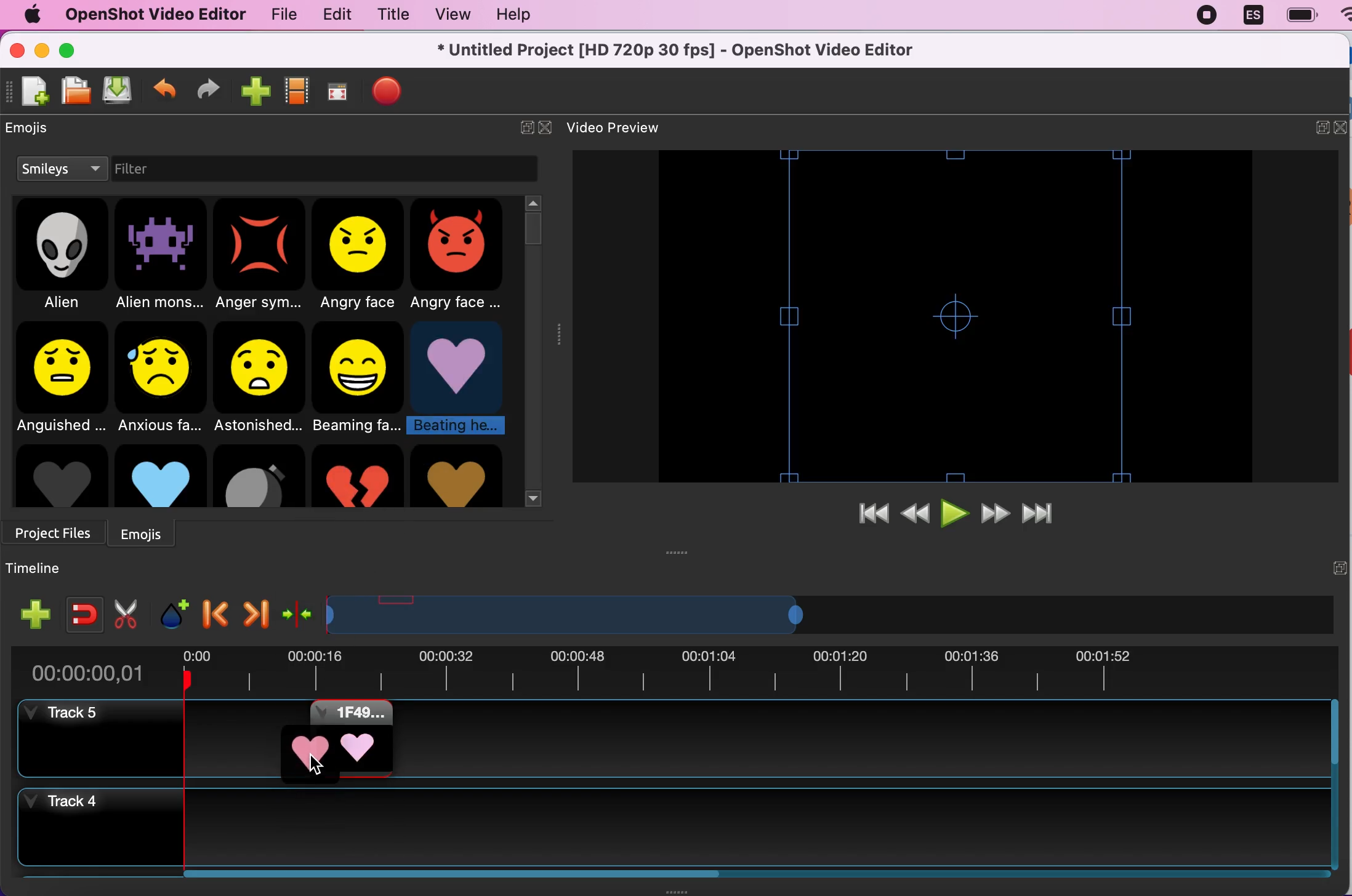  I want to click on language, so click(1248, 15).